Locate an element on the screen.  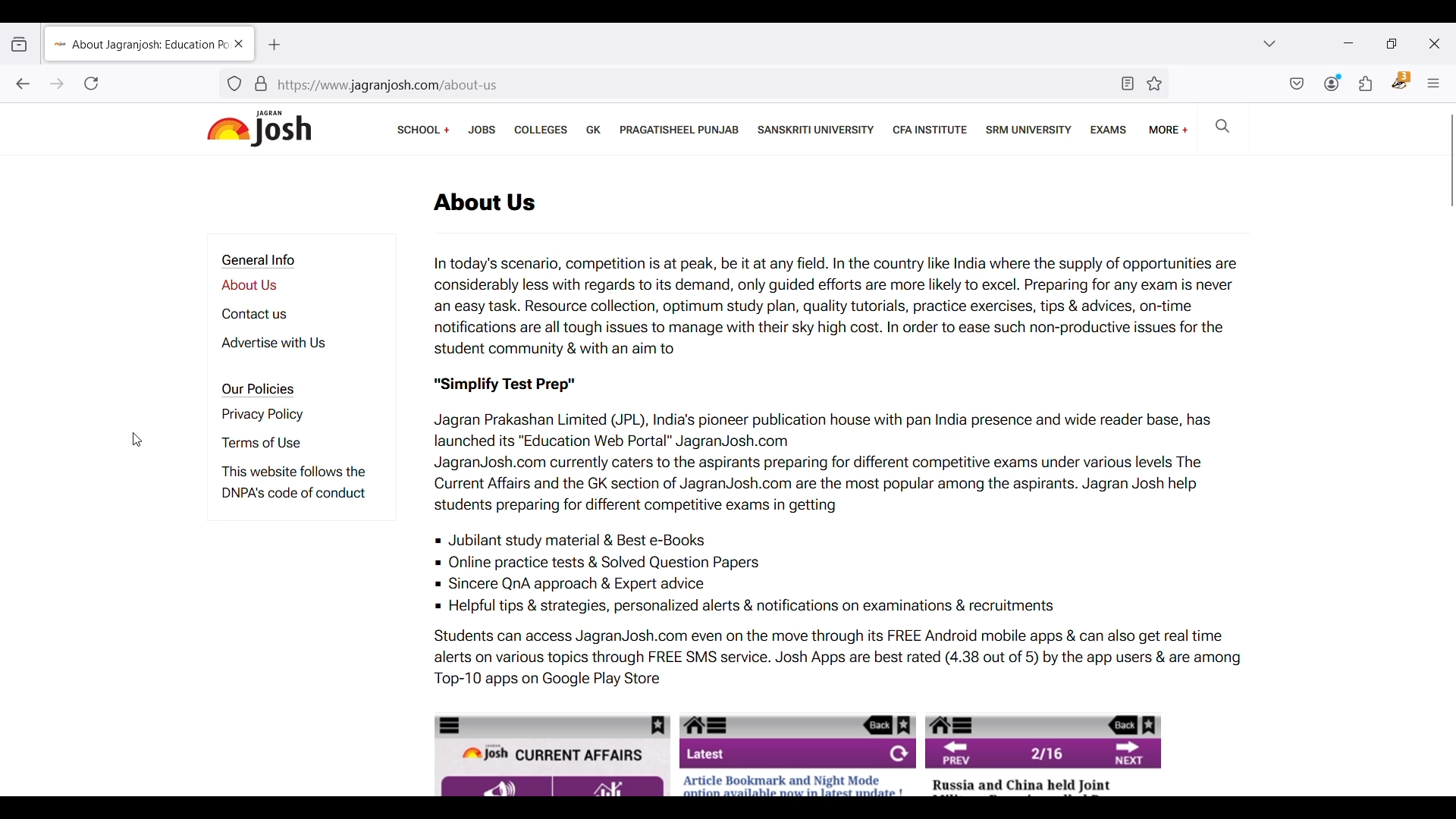
Account is located at coordinates (1333, 83).